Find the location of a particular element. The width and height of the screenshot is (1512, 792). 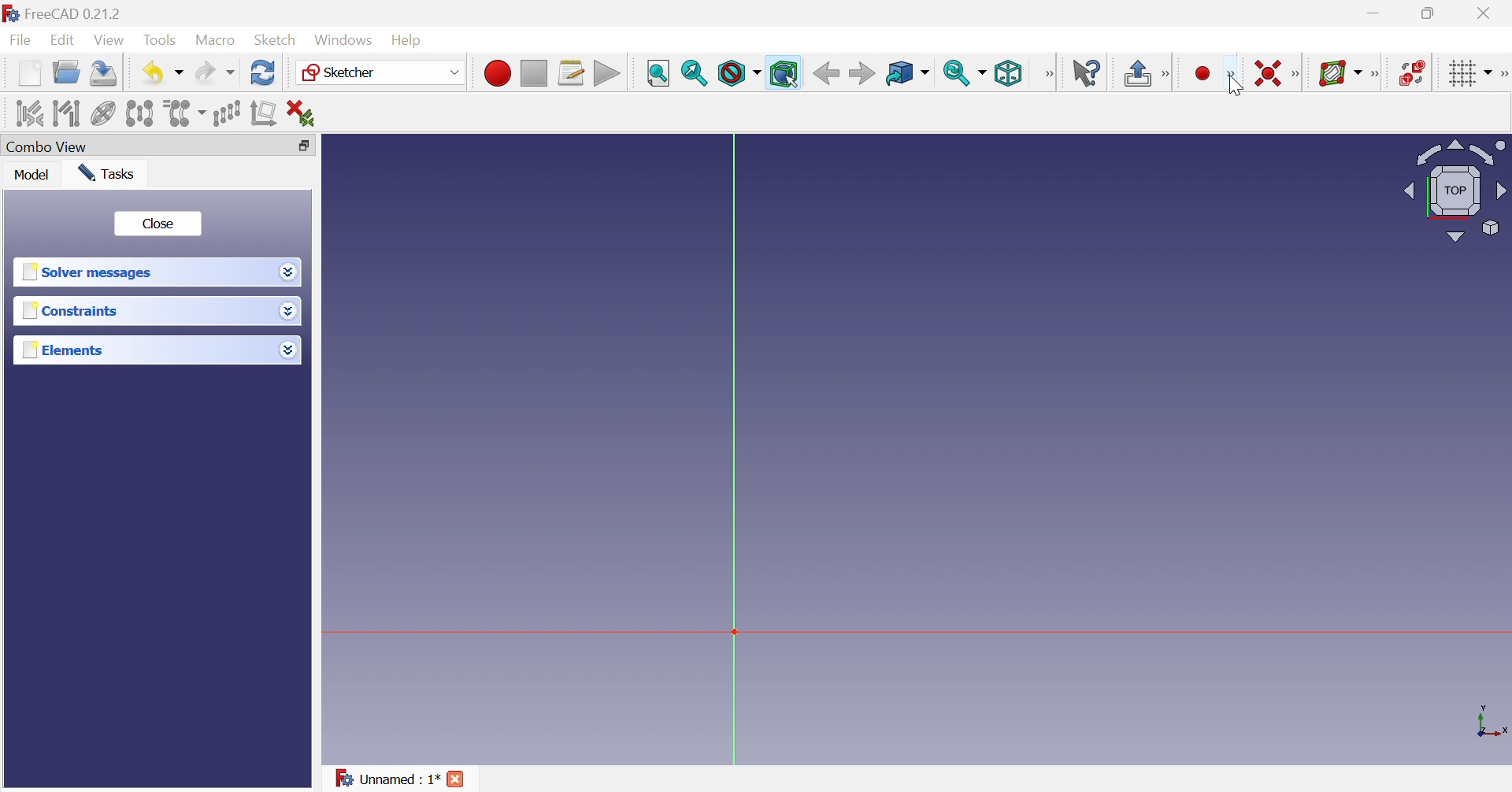

Combo view is located at coordinates (45, 147).